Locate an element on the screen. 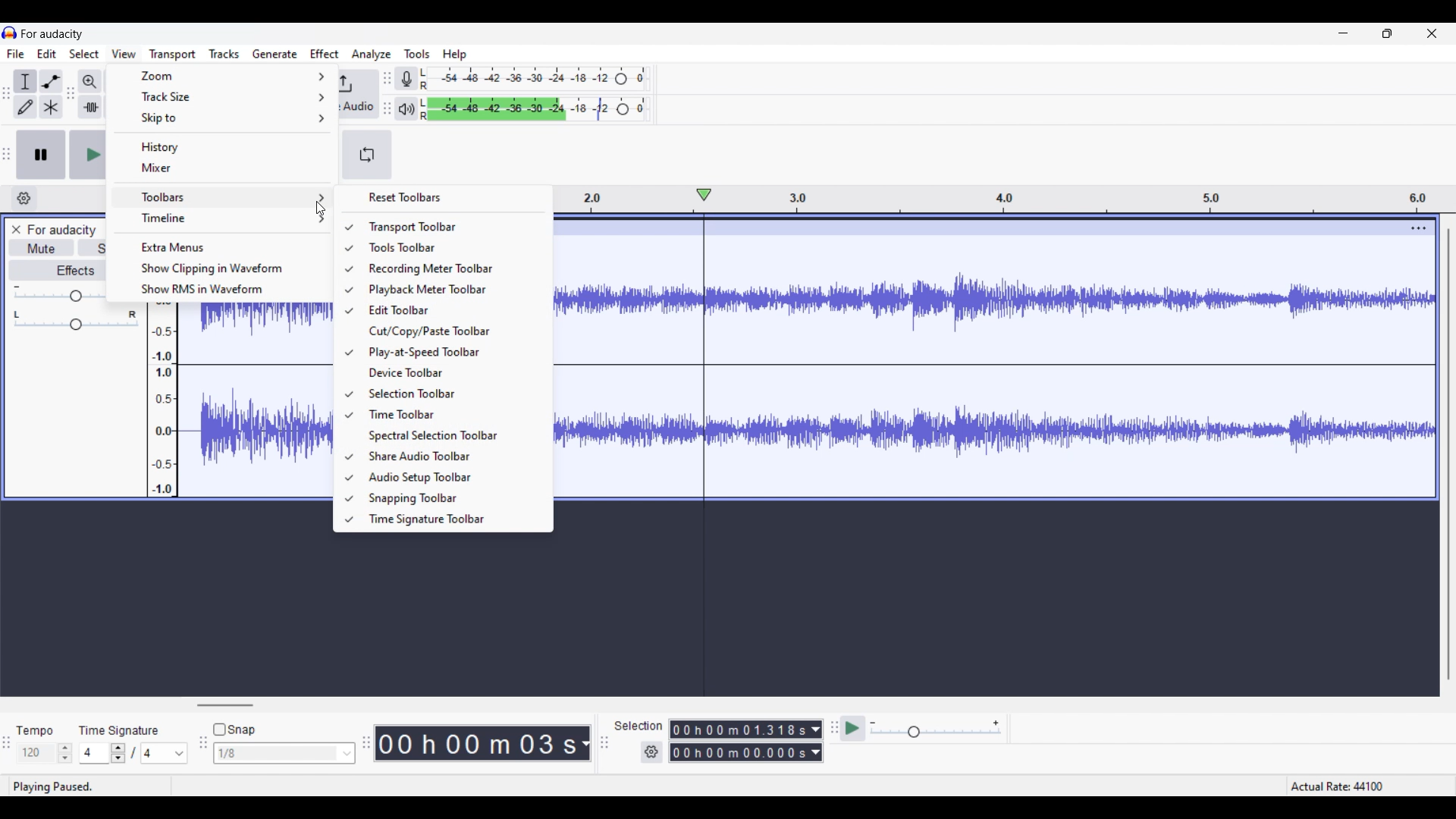 This screenshot has height=819, width=1456. Toolbar options is located at coordinates (222, 197).